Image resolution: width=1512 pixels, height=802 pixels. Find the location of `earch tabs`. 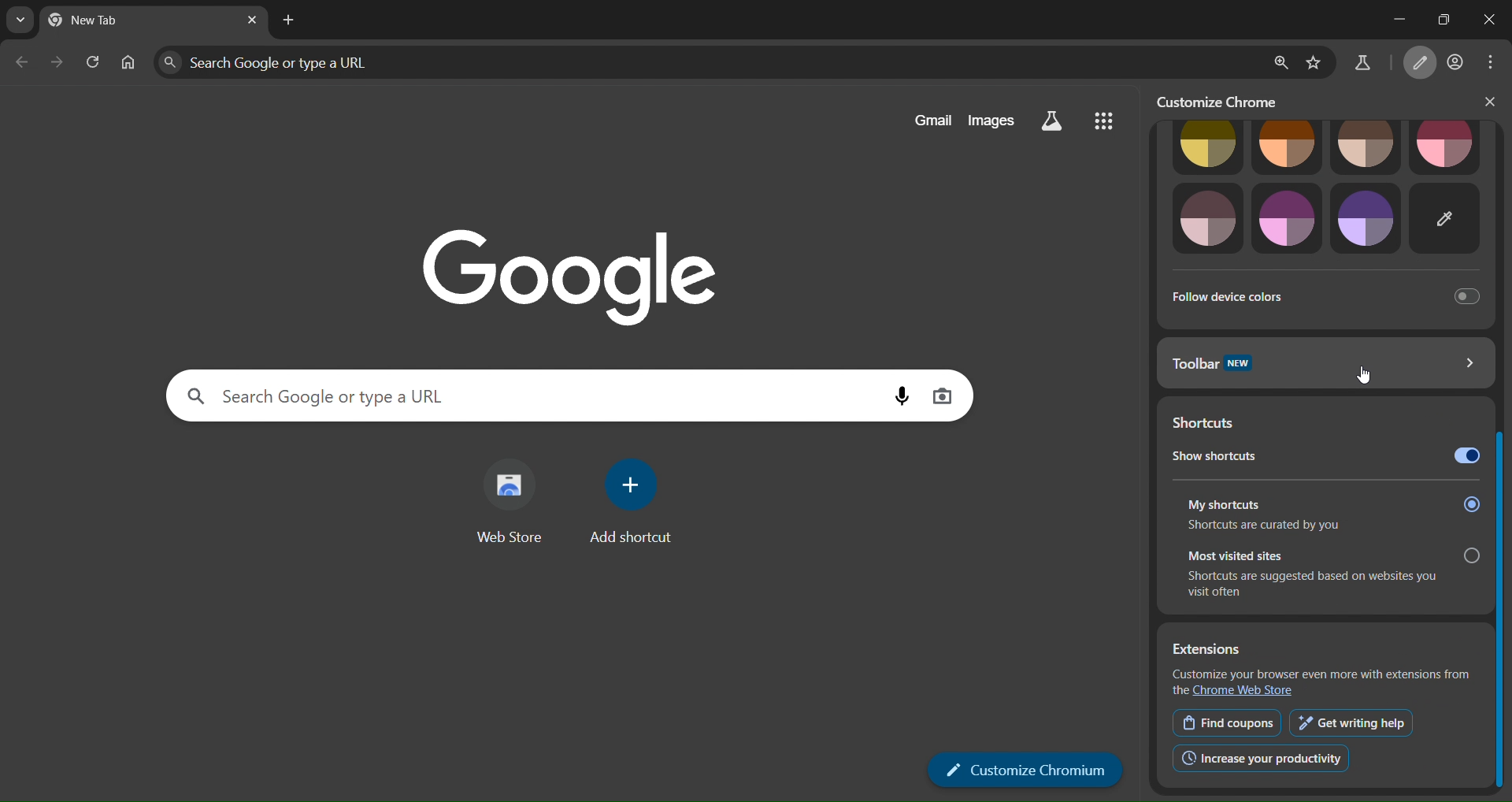

earch tabs is located at coordinates (17, 20).